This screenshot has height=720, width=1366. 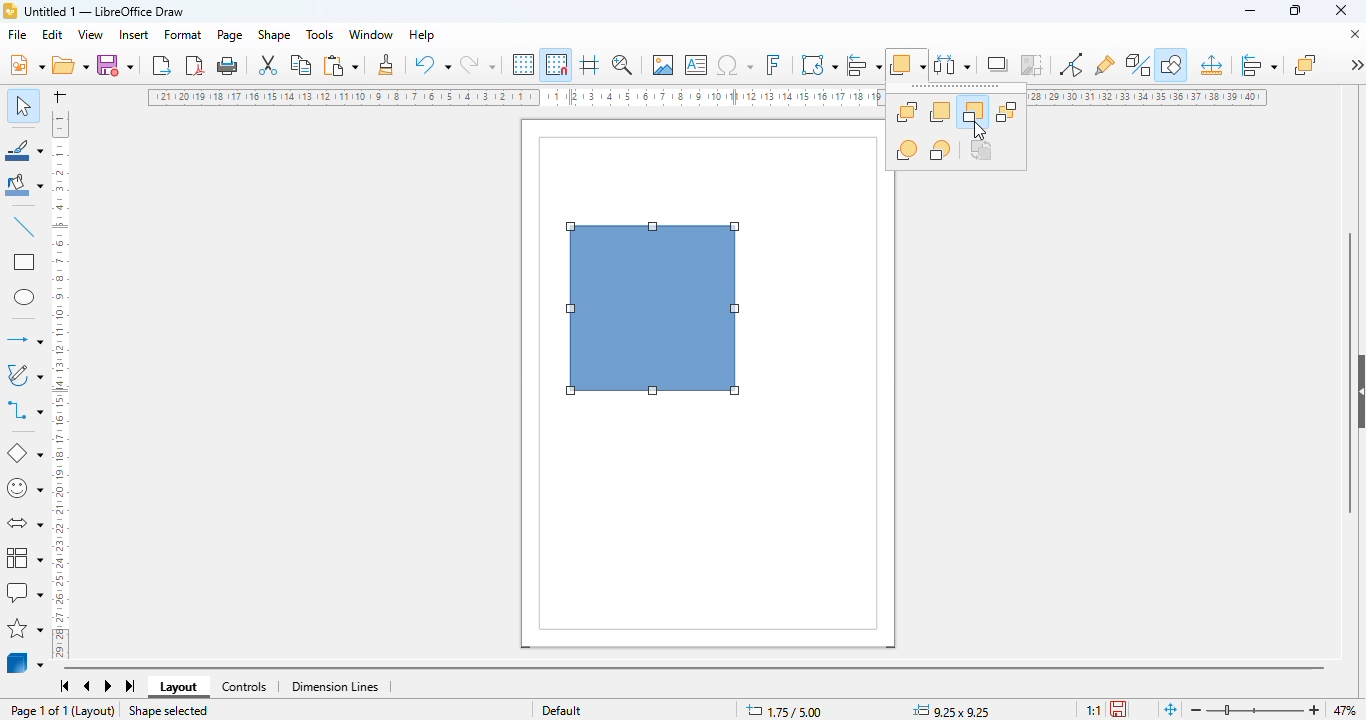 I want to click on print, so click(x=227, y=66).